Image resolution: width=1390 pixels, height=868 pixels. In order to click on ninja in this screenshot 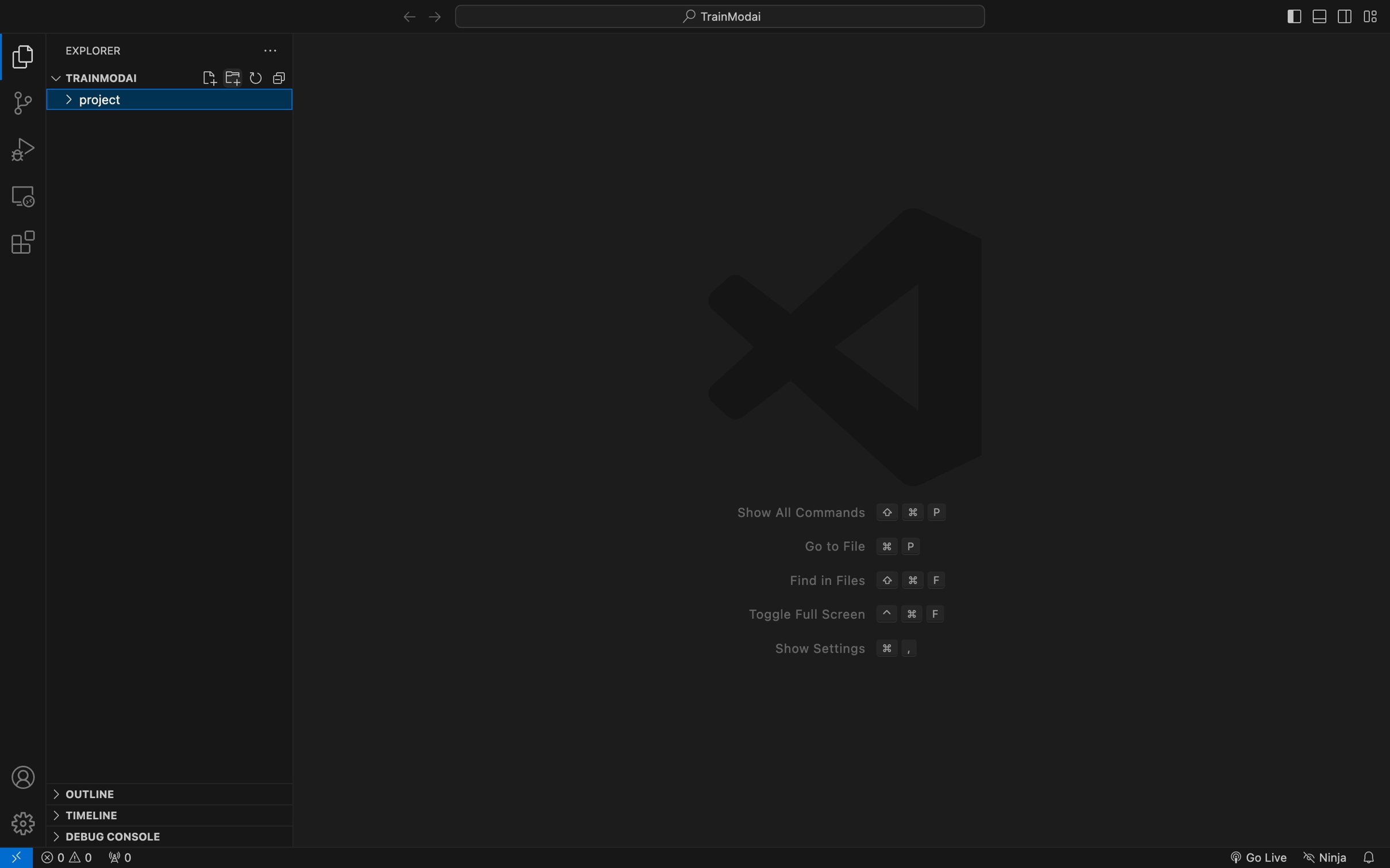, I will do `click(1325, 855)`.